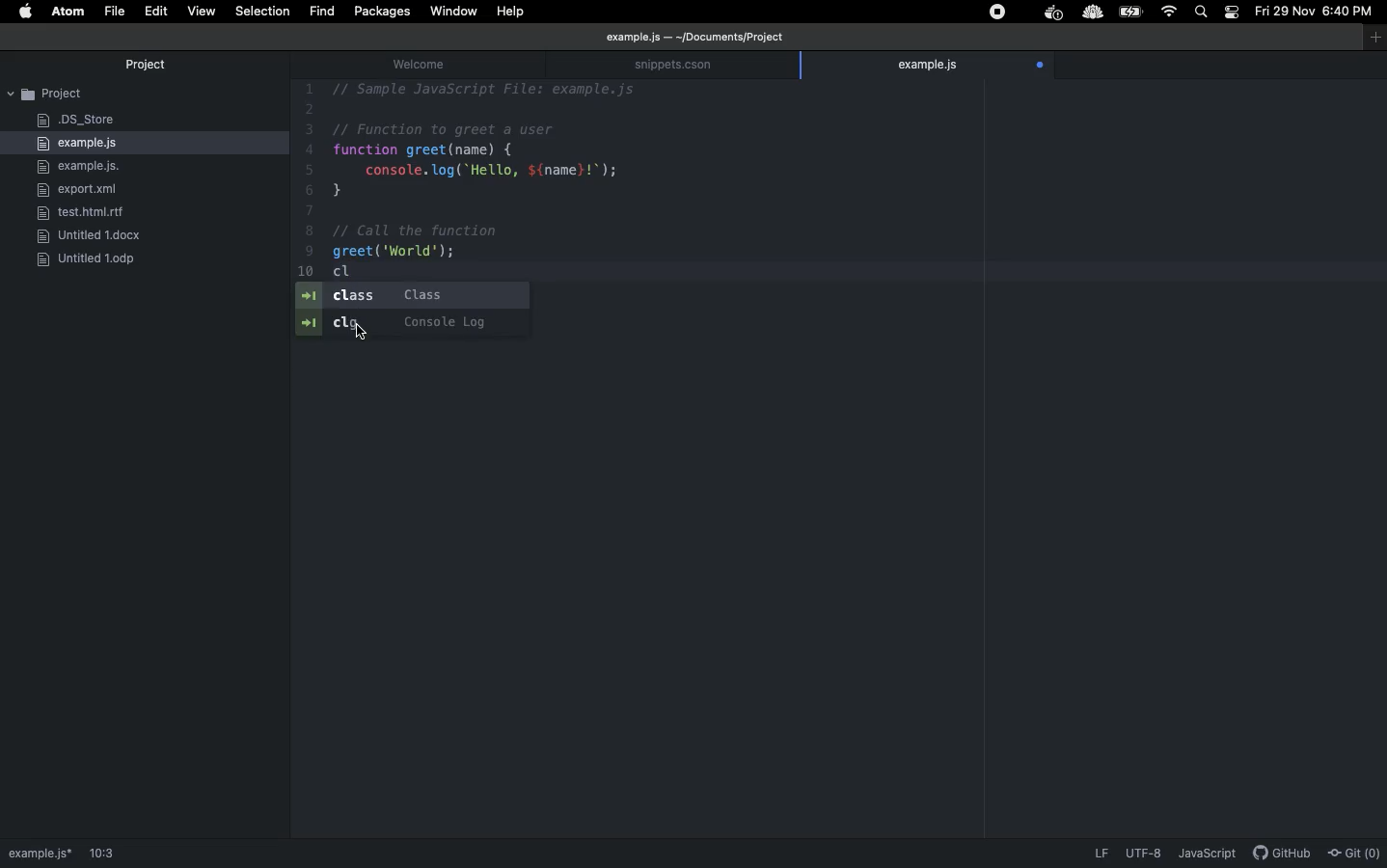  Describe the element at coordinates (76, 122) in the screenshot. I see `DS_Store` at that location.